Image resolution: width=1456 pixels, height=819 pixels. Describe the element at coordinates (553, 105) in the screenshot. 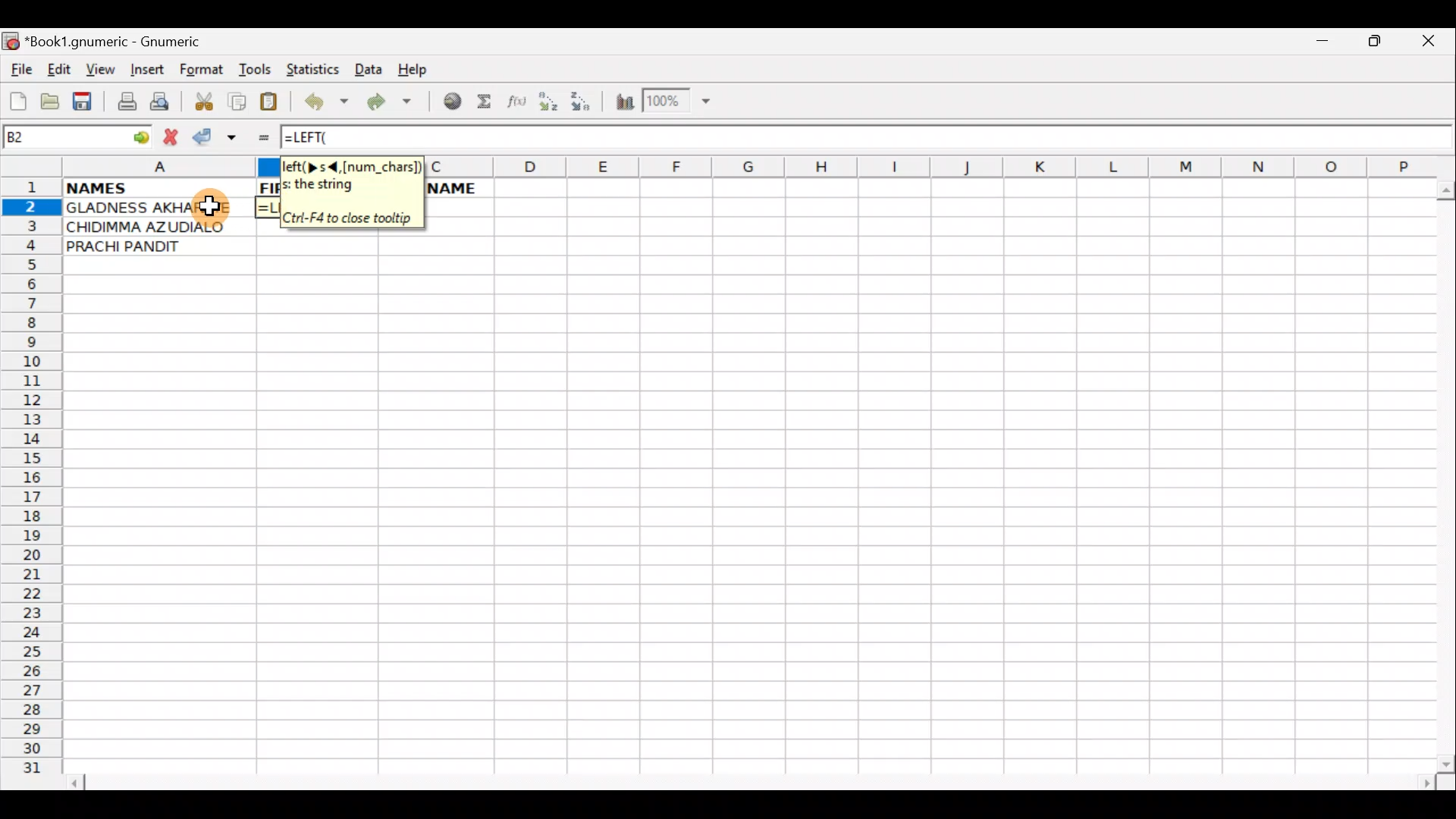

I see `Sort Ascending order` at that location.